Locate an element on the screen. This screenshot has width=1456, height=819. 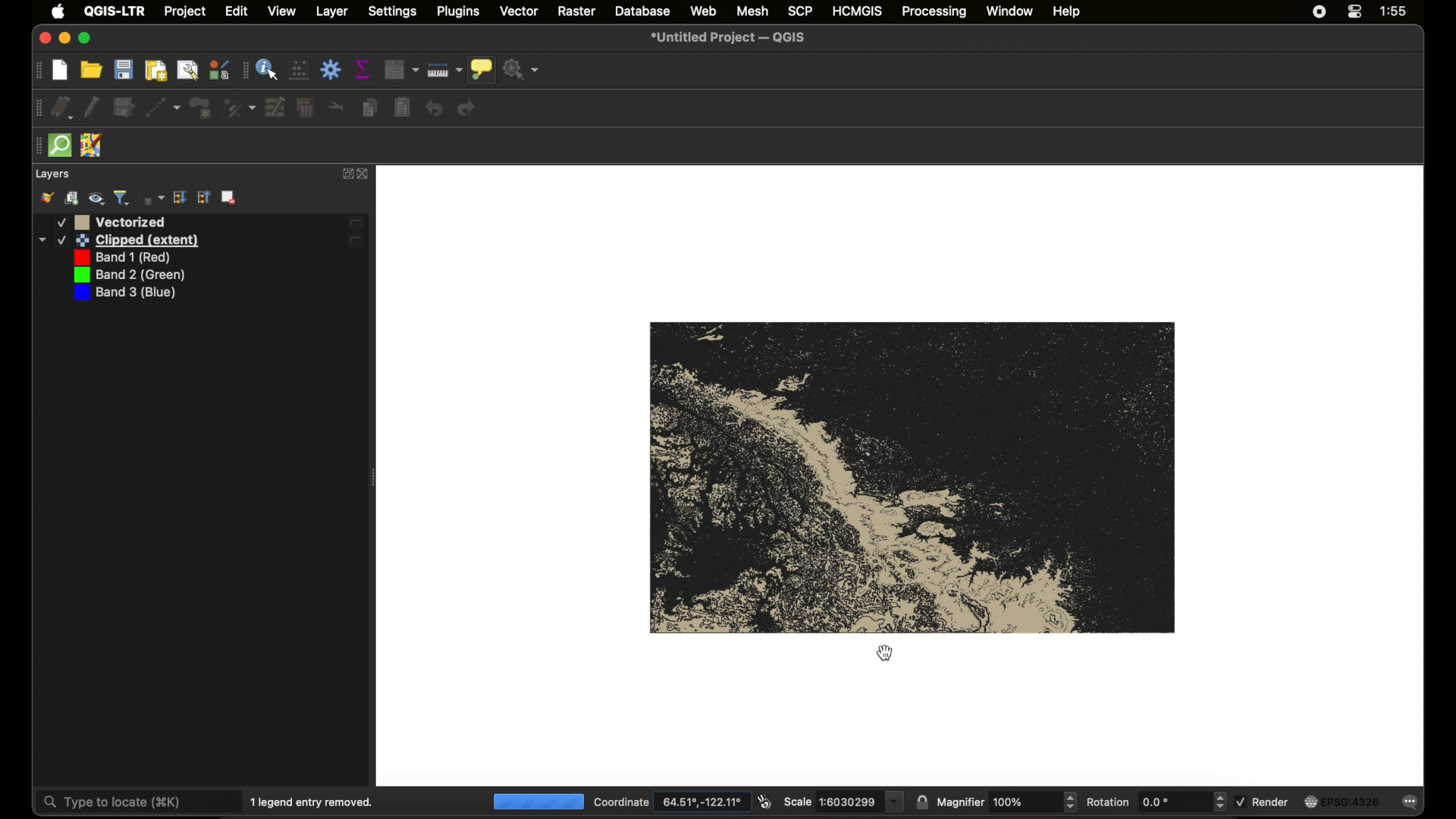
minimize is located at coordinates (64, 39).